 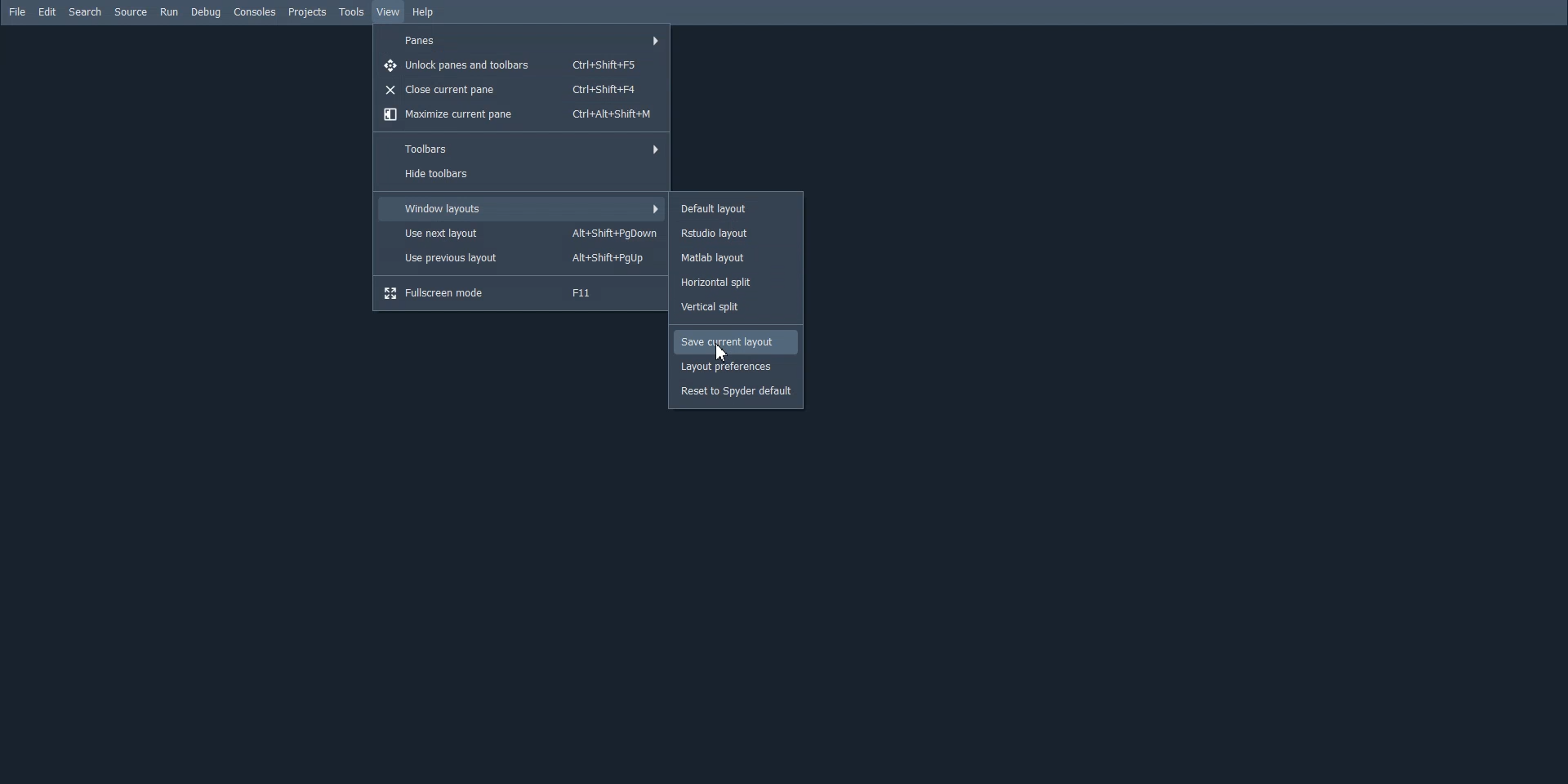 What do you see at coordinates (737, 367) in the screenshot?
I see `Layout preferences` at bounding box center [737, 367].